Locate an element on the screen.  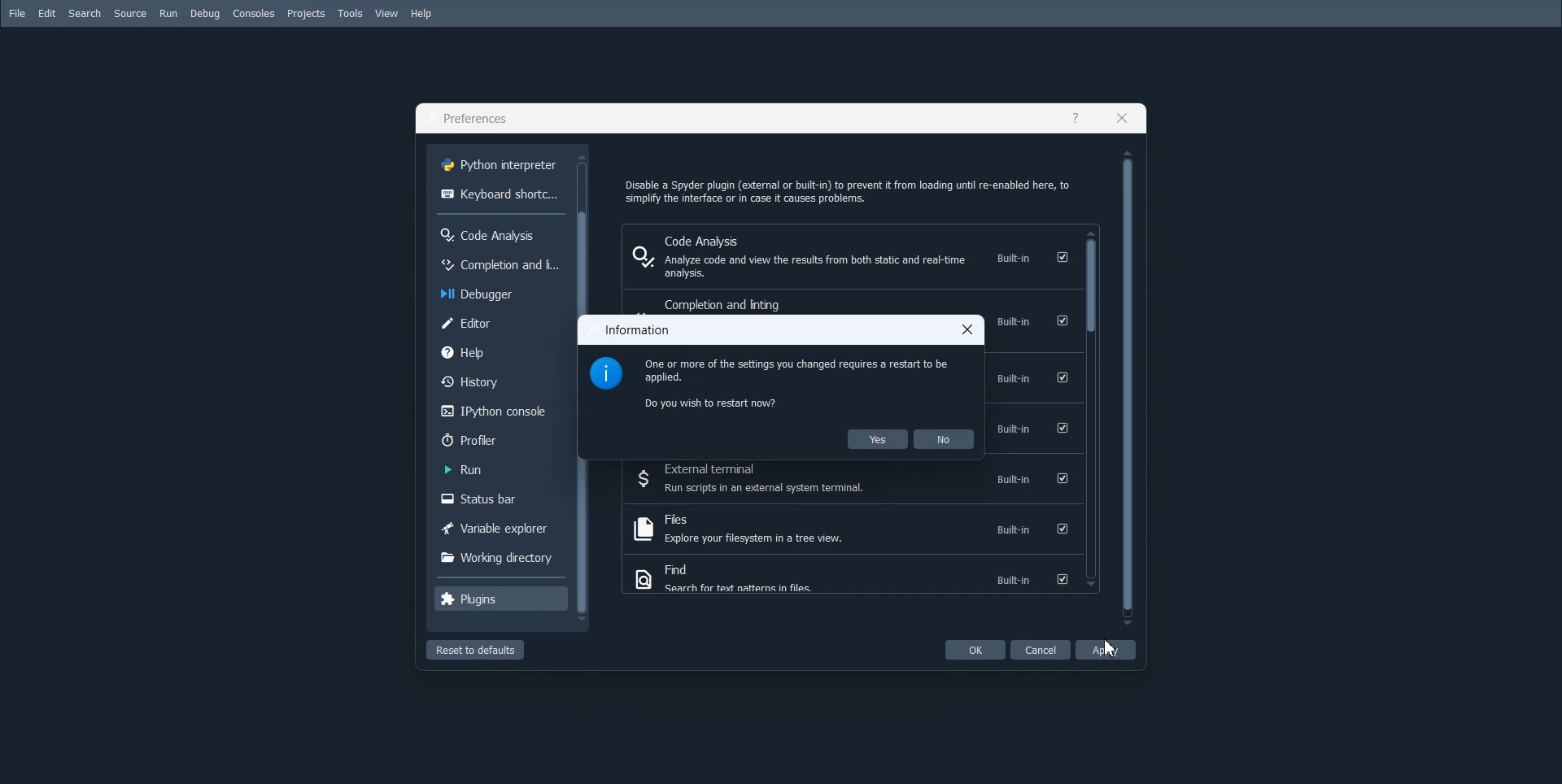
Plugins is located at coordinates (500, 598).